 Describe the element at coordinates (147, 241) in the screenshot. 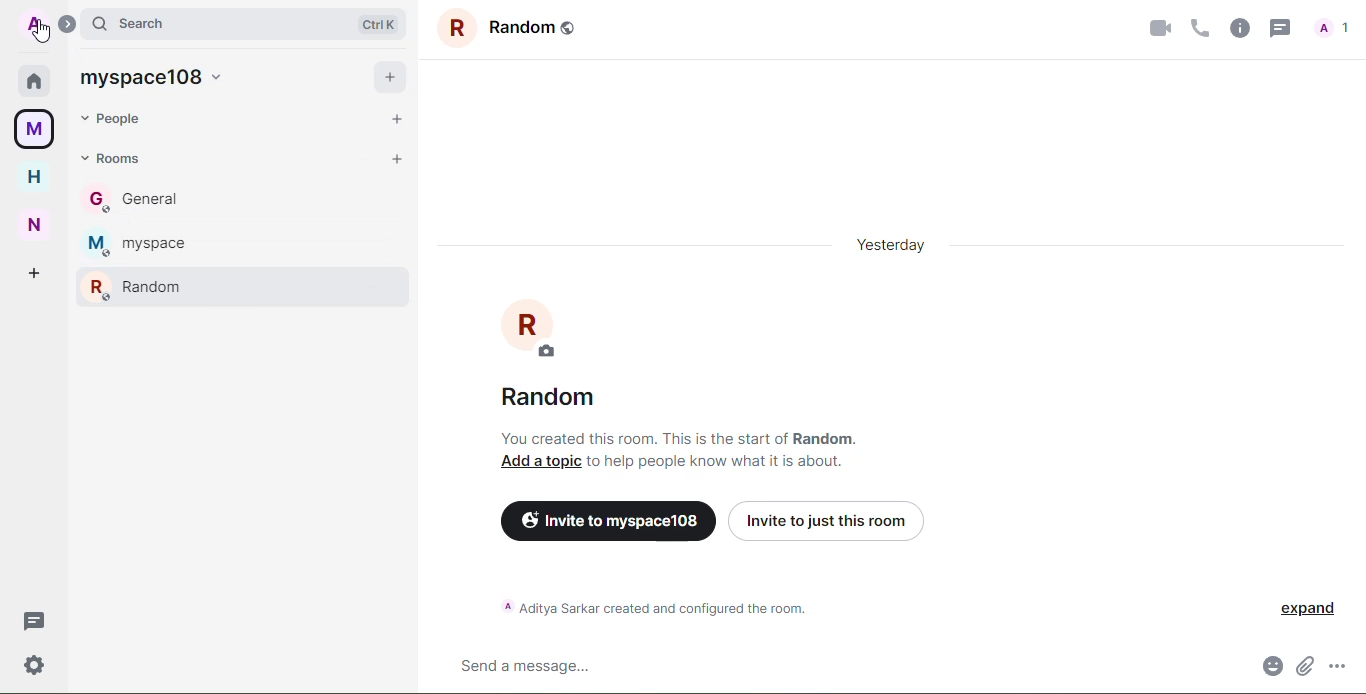

I see `myspace` at that location.